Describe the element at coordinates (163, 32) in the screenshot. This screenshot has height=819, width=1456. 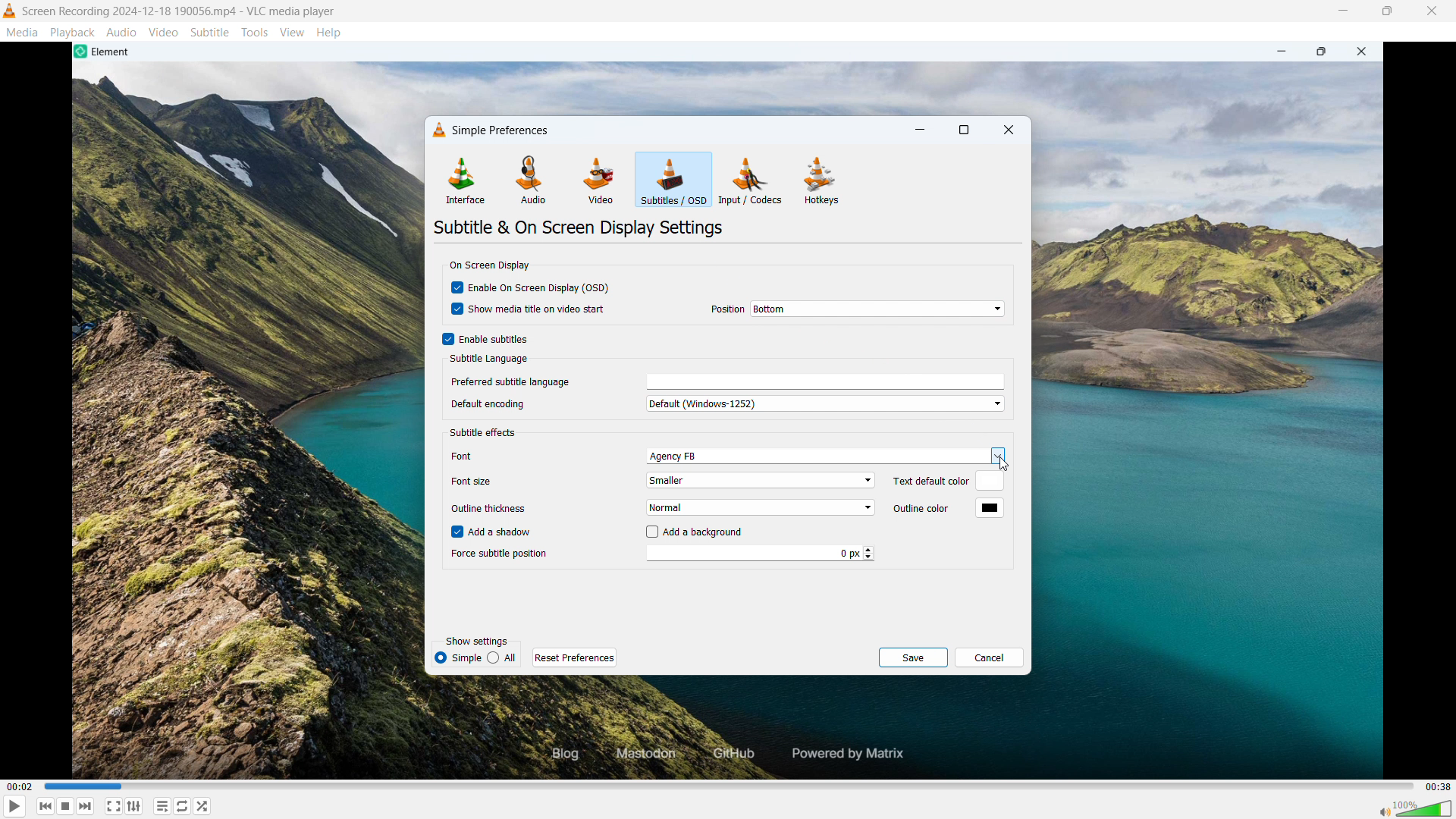
I see `video` at that location.